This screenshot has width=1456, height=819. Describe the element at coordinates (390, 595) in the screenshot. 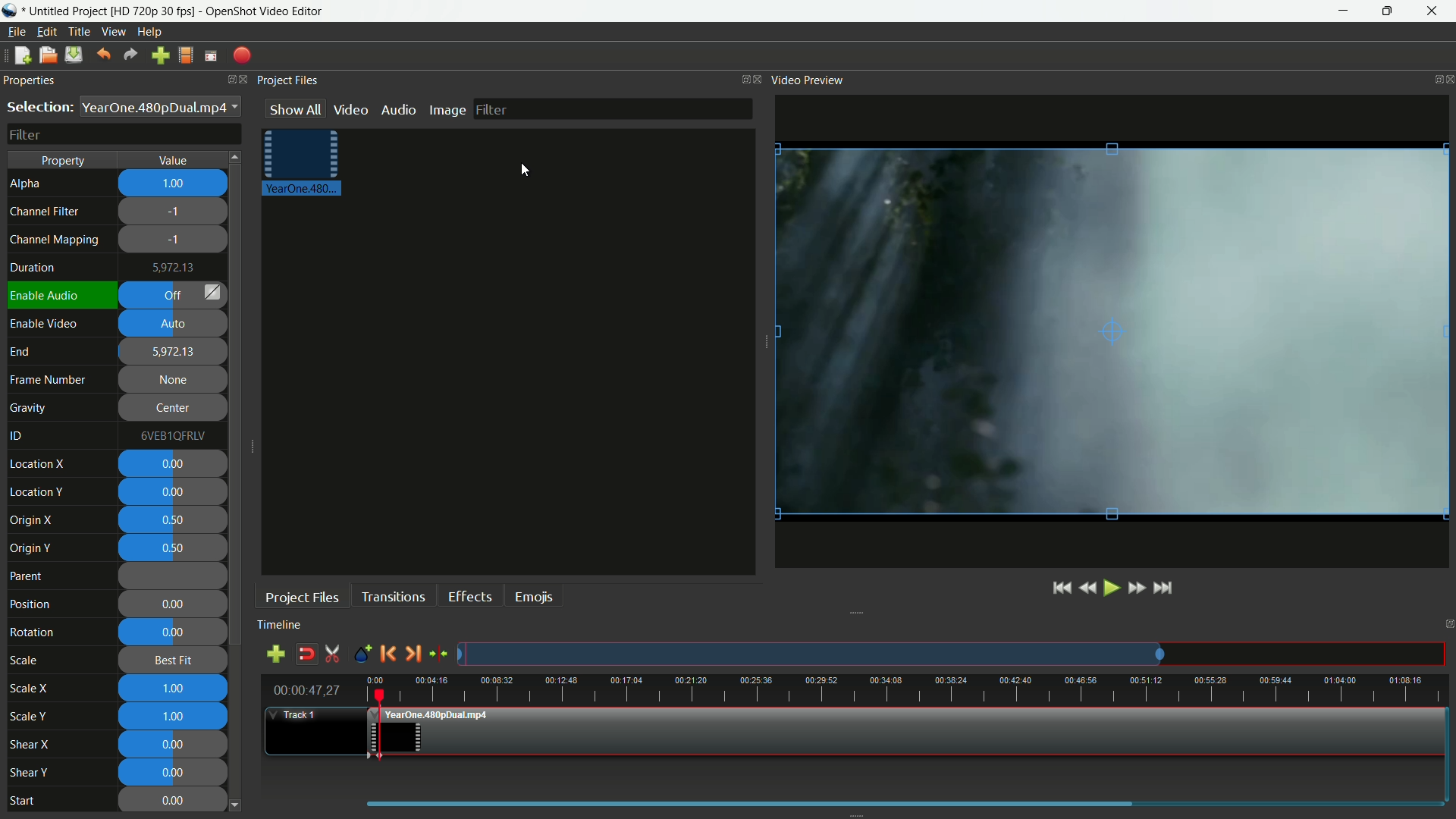

I see `transitions` at that location.